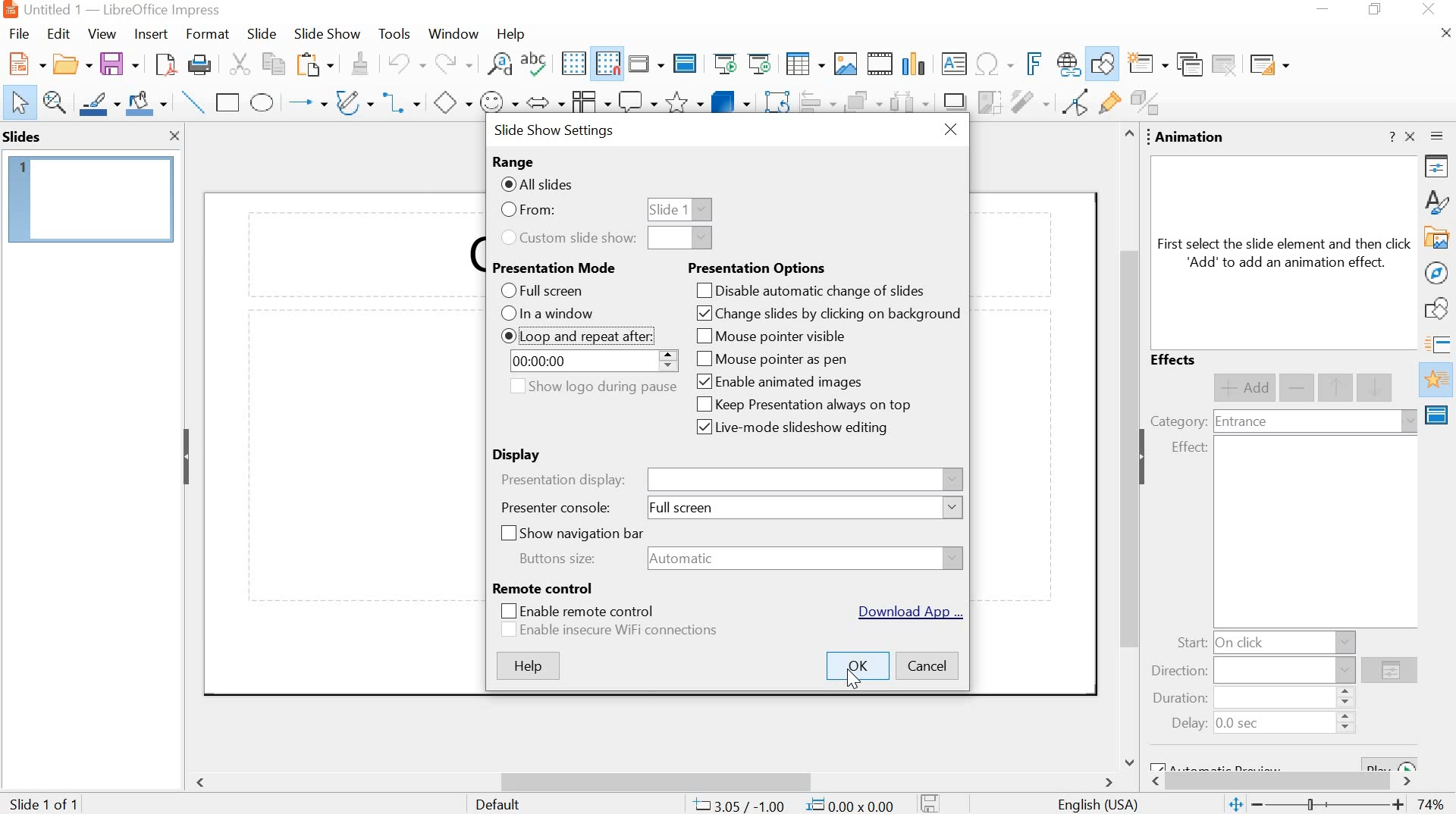 The height and width of the screenshot is (814, 1456). I want to click on view menu, so click(102, 34).